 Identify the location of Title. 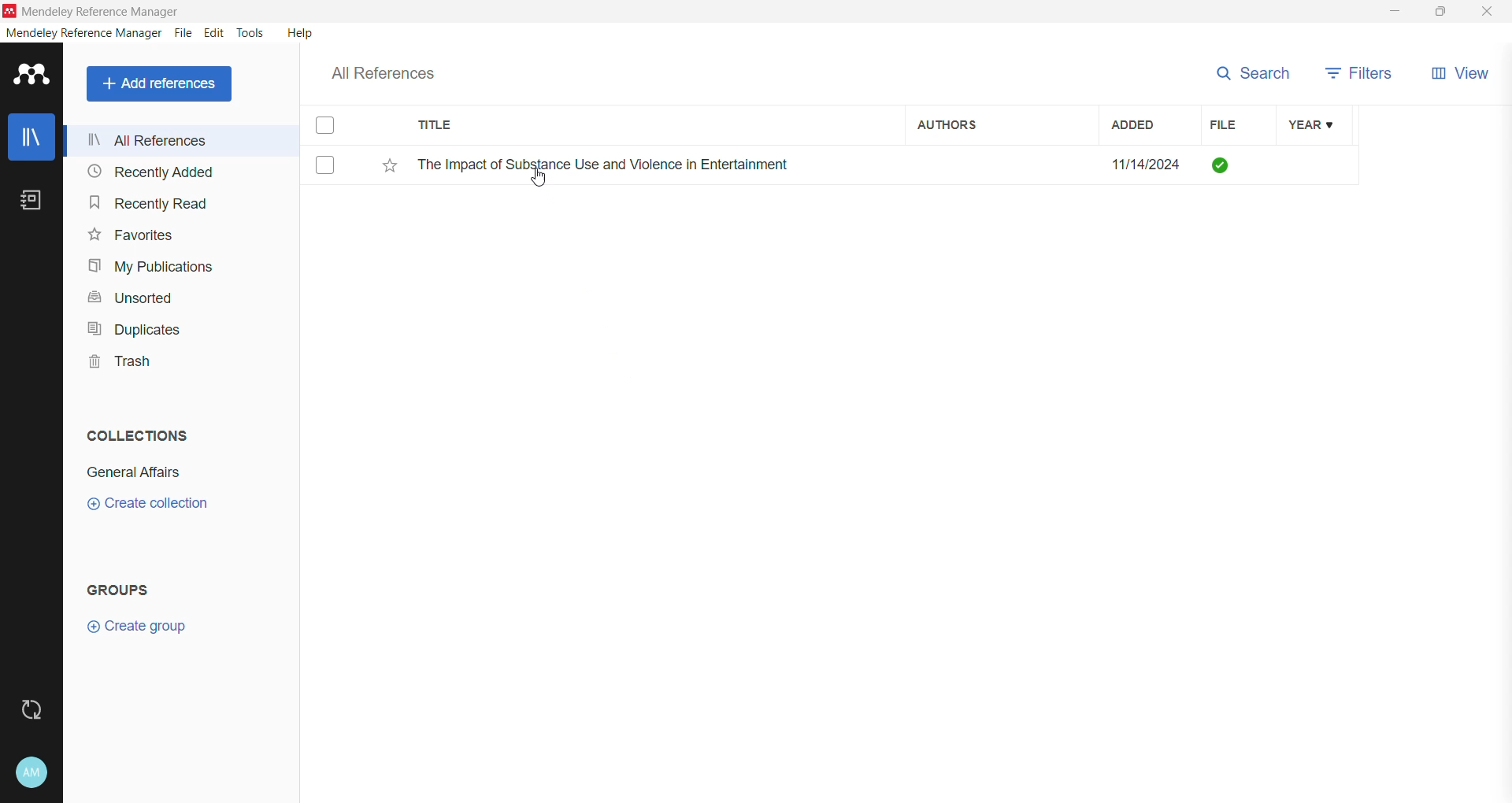
(654, 125).